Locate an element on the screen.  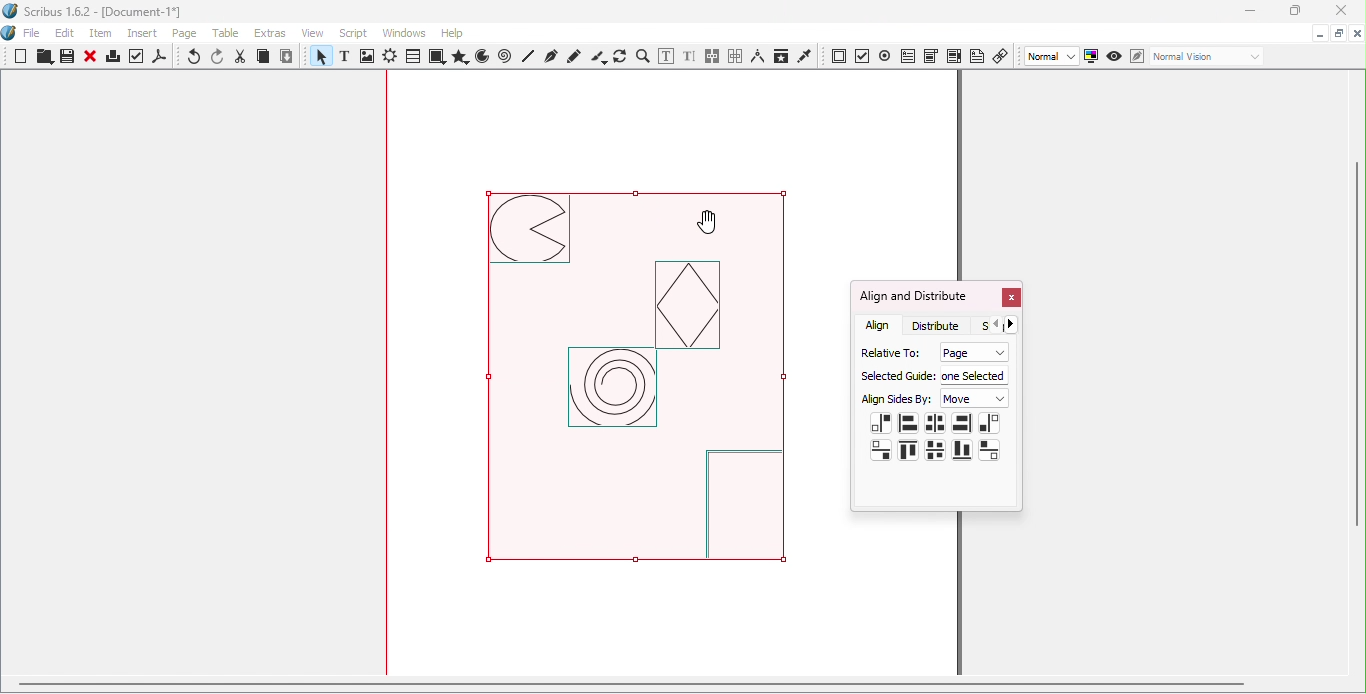
One selected is located at coordinates (975, 374).